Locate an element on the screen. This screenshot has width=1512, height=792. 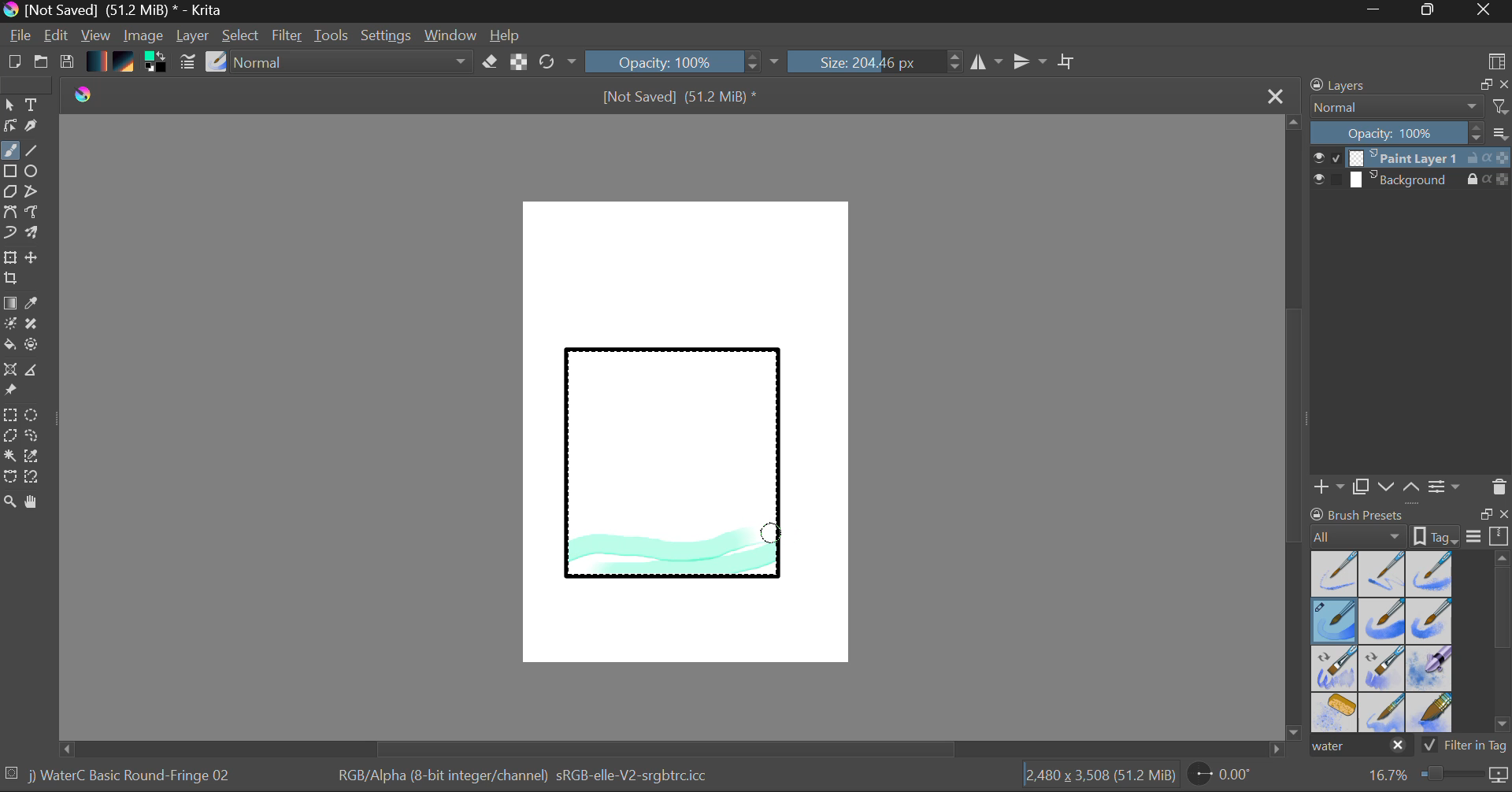
Water C - Special Splats is located at coordinates (1336, 712).